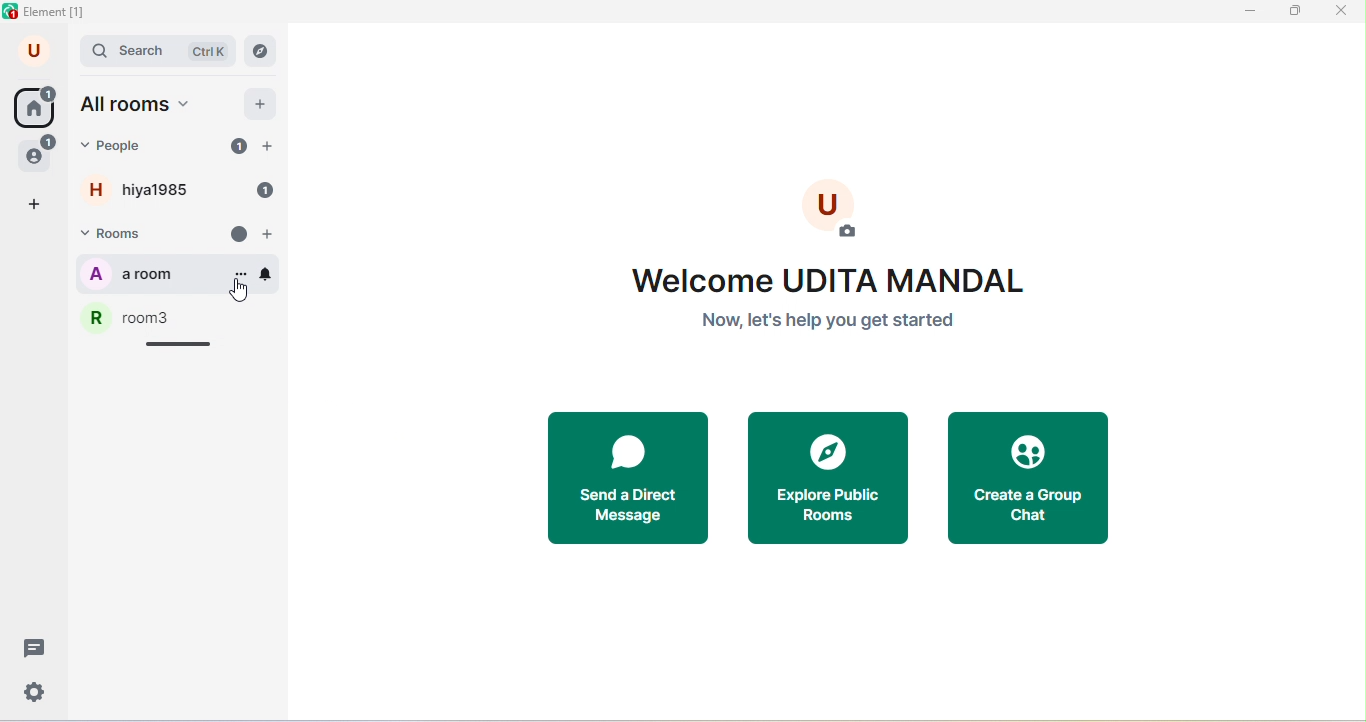 This screenshot has width=1366, height=722. I want to click on room options, so click(241, 275).